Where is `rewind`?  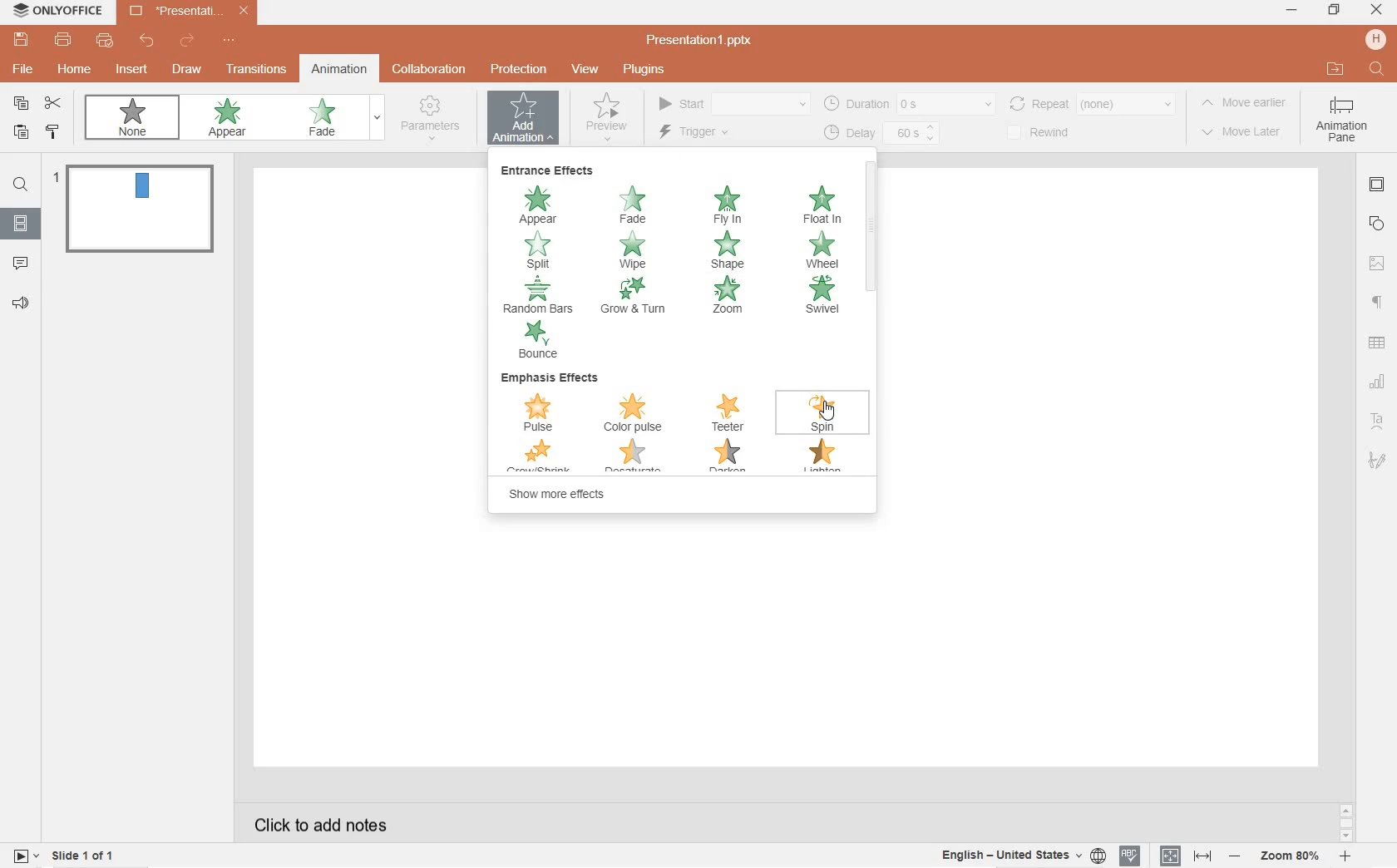
rewind is located at coordinates (1052, 131).